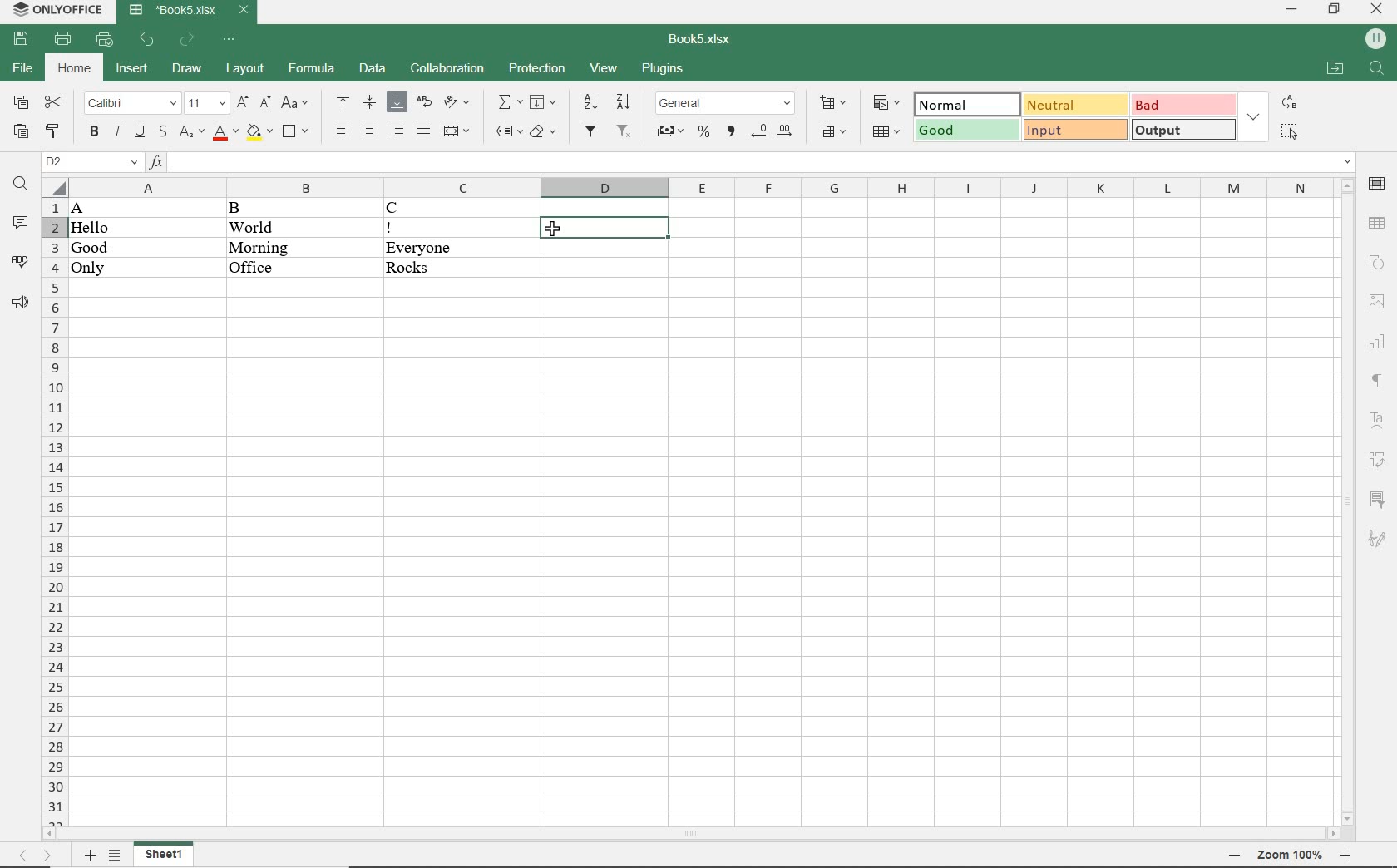  I want to click on columns, so click(697, 188).